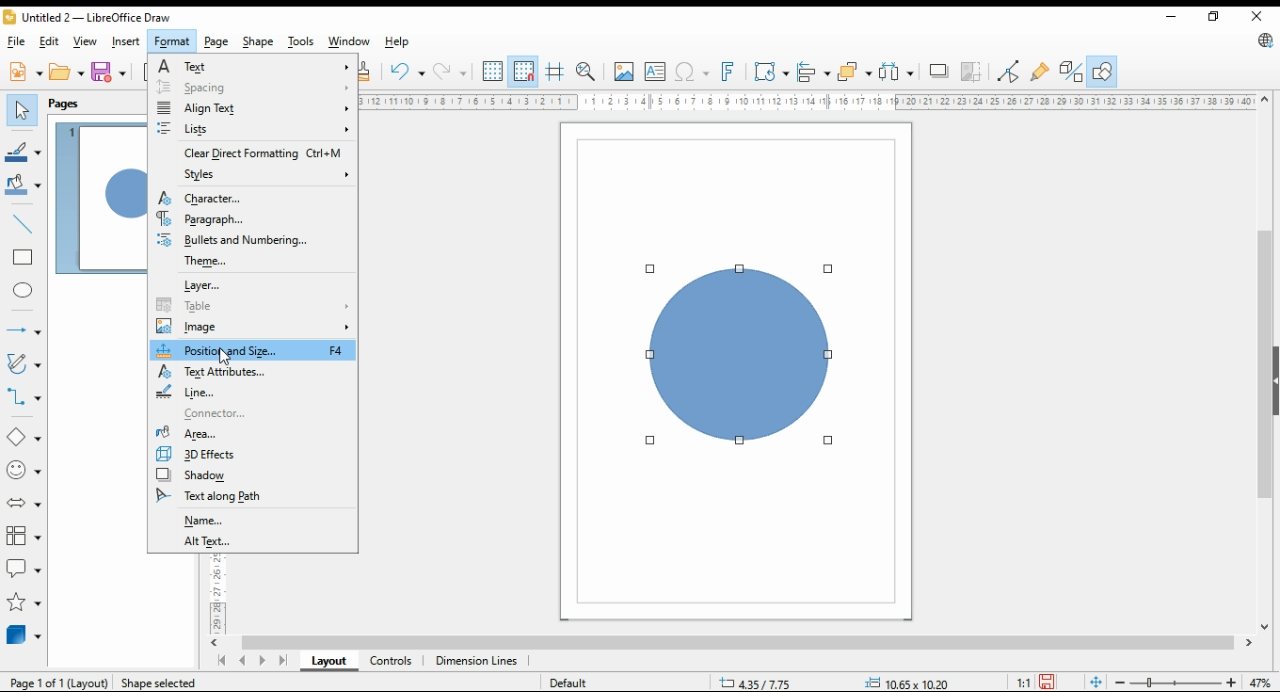  What do you see at coordinates (1047, 682) in the screenshot?
I see `save` at bounding box center [1047, 682].